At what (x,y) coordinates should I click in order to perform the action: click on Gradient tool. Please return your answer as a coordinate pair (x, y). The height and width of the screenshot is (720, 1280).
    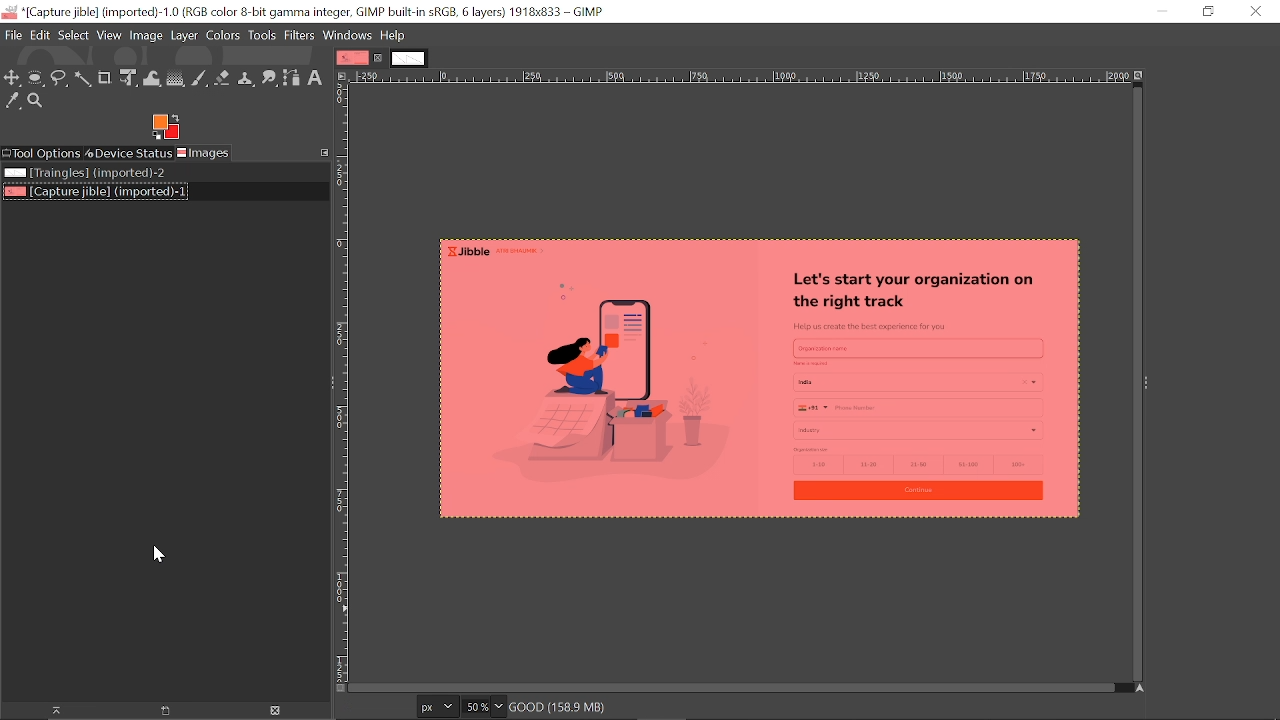
    Looking at the image, I should click on (175, 78).